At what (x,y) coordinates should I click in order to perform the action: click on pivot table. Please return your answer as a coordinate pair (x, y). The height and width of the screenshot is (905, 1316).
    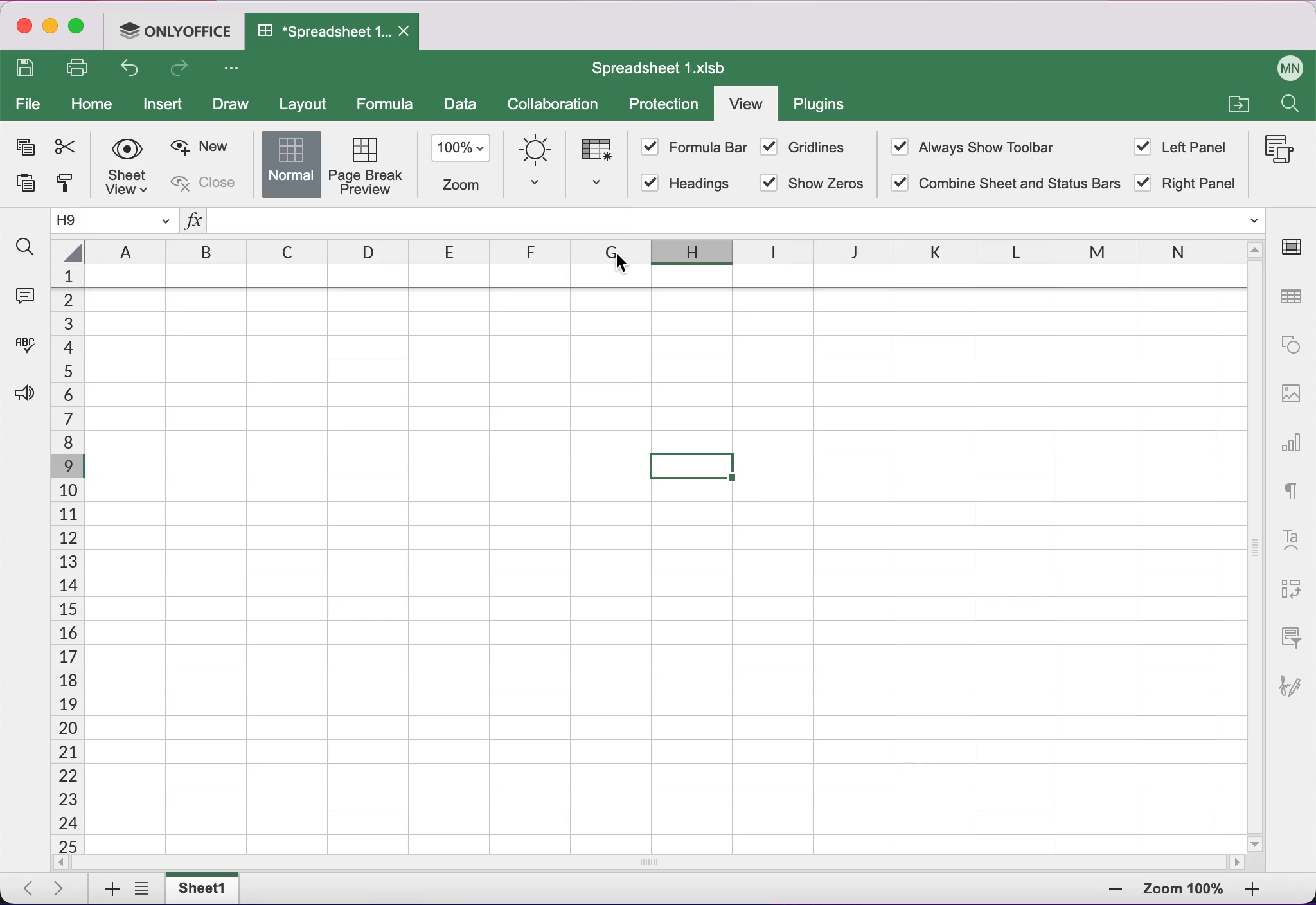
    Looking at the image, I should click on (120, 165).